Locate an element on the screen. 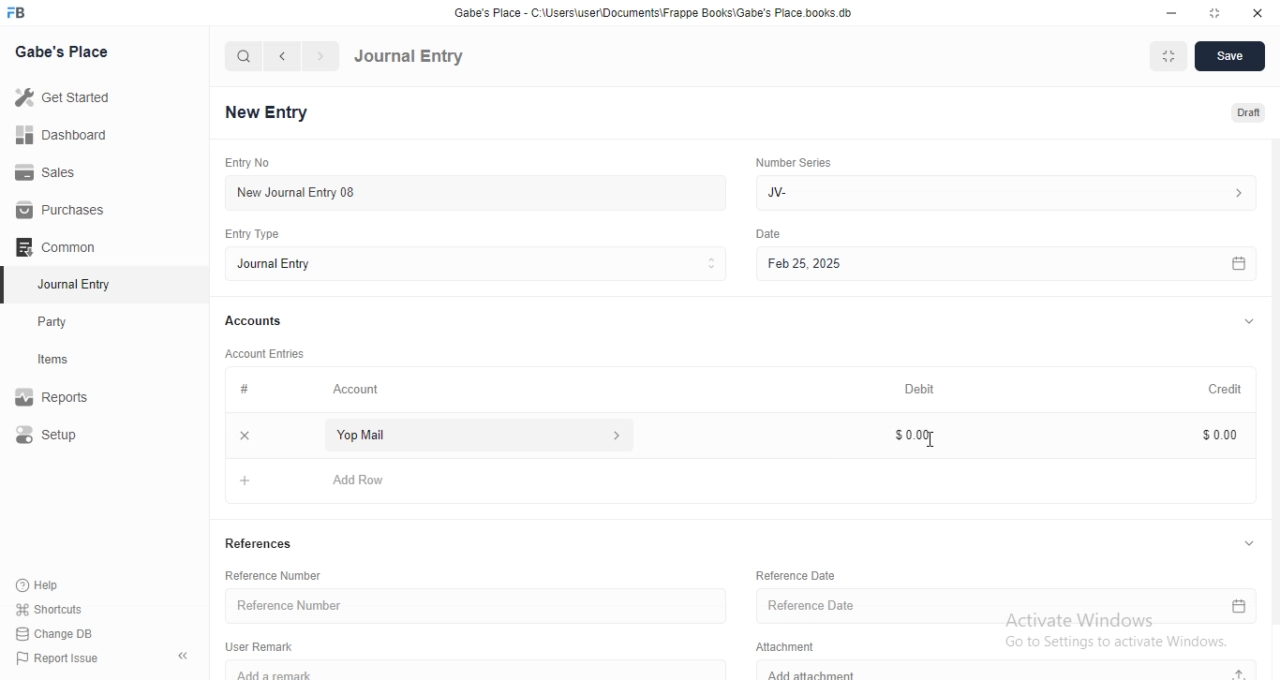 The image size is (1280, 680). Number Series is located at coordinates (793, 164).